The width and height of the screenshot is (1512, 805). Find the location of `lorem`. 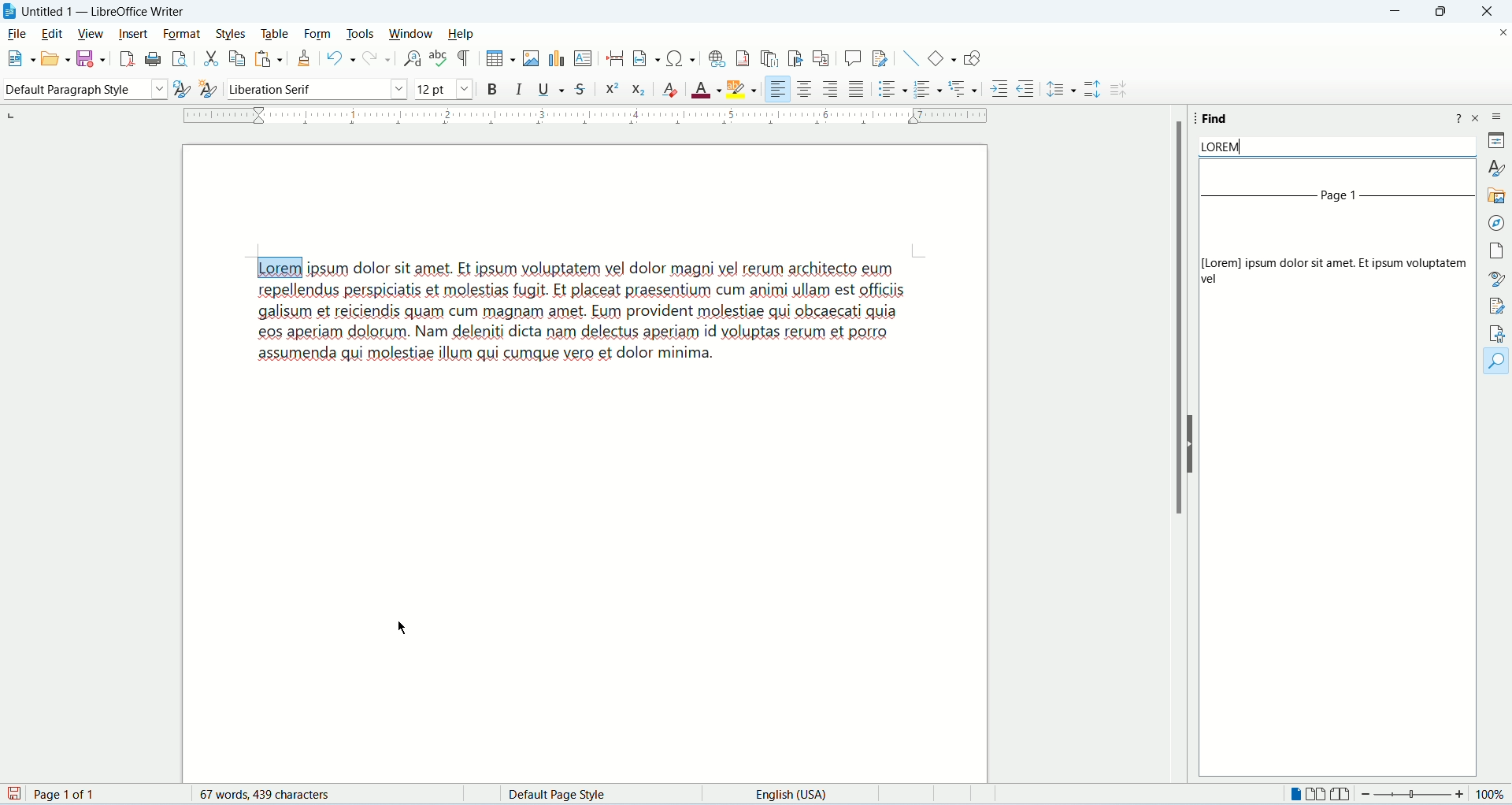

lorem is located at coordinates (275, 265).